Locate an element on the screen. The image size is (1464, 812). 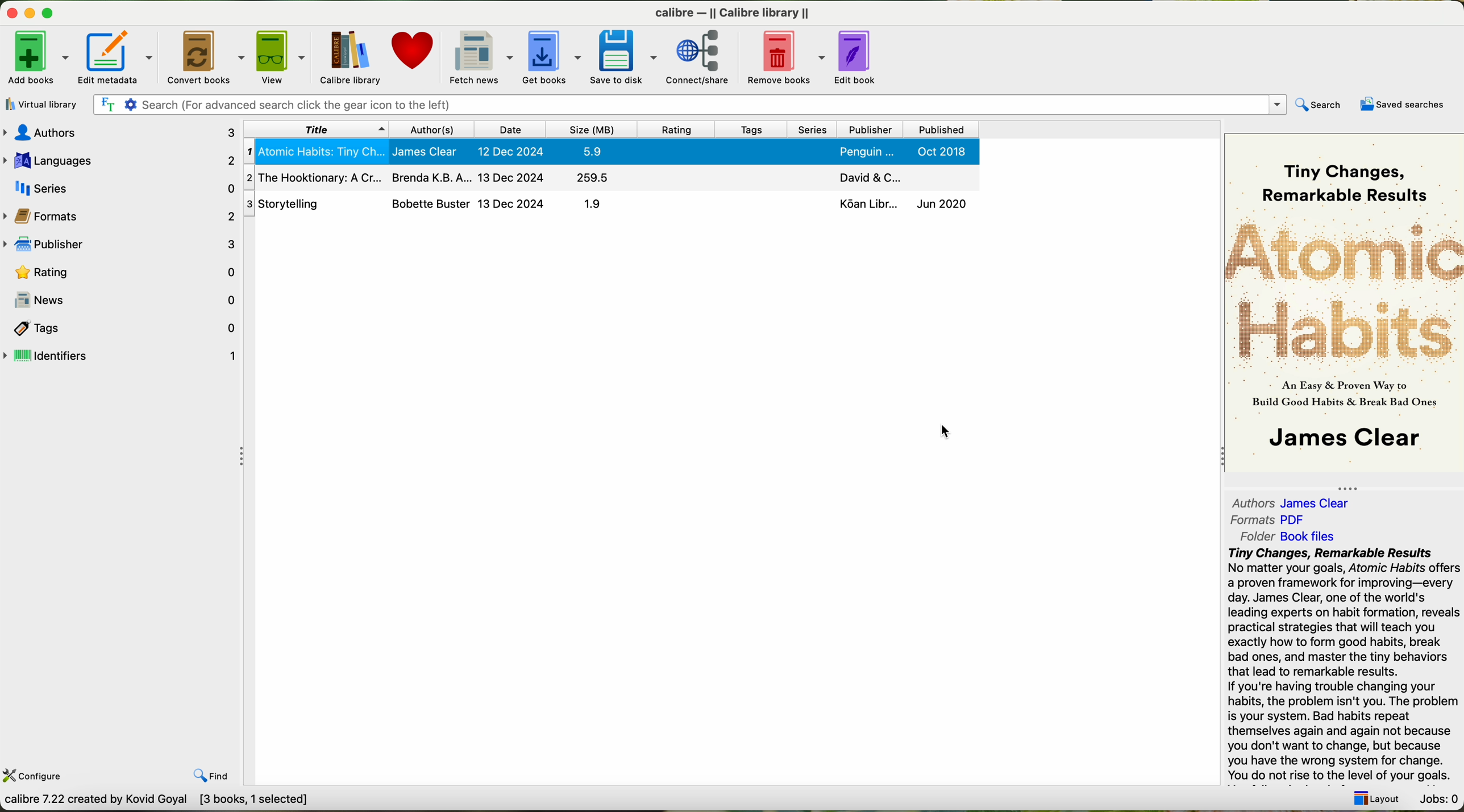
edit metadata is located at coordinates (116, 56).